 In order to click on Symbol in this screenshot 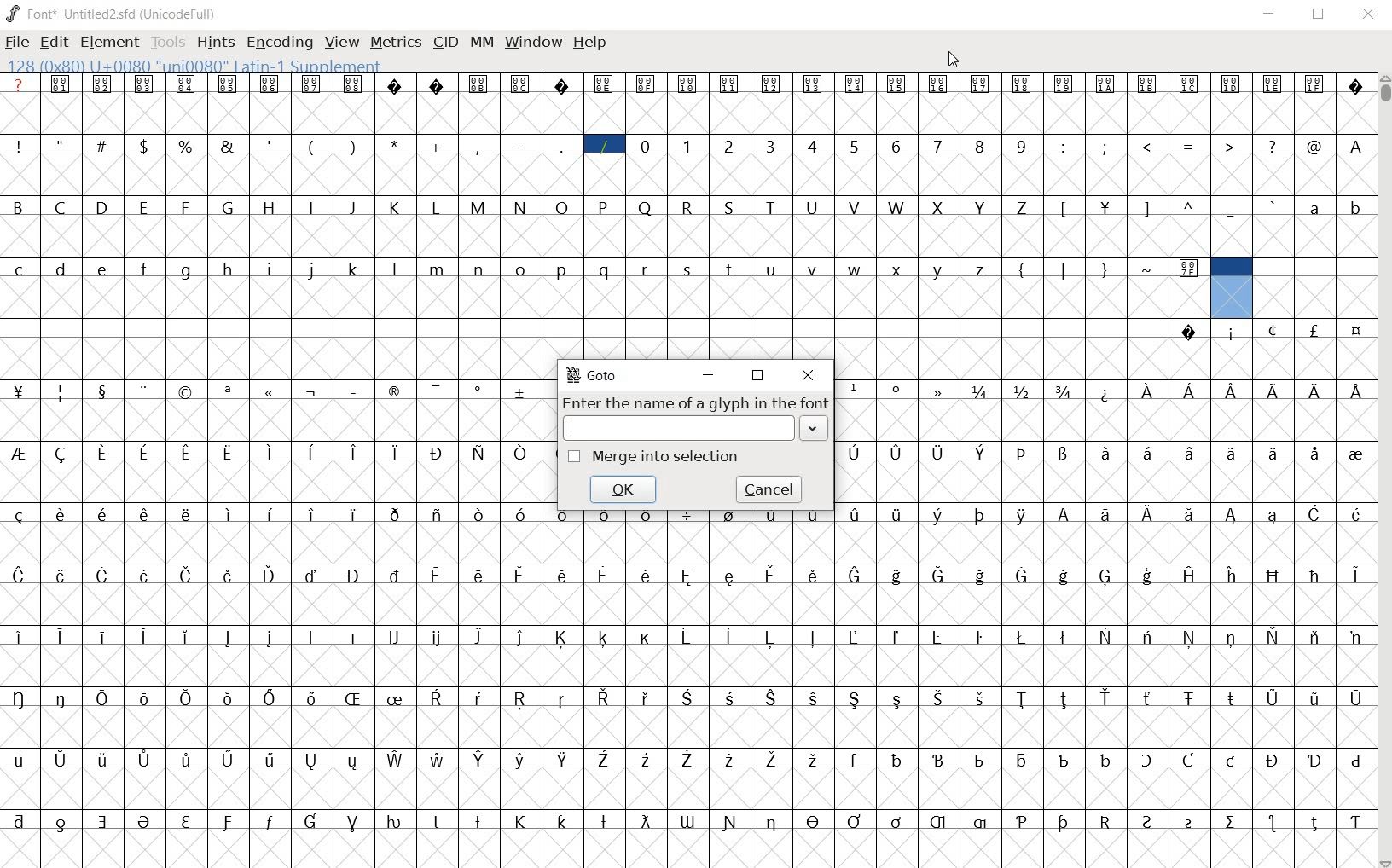, I will do `click(647, 760)`.